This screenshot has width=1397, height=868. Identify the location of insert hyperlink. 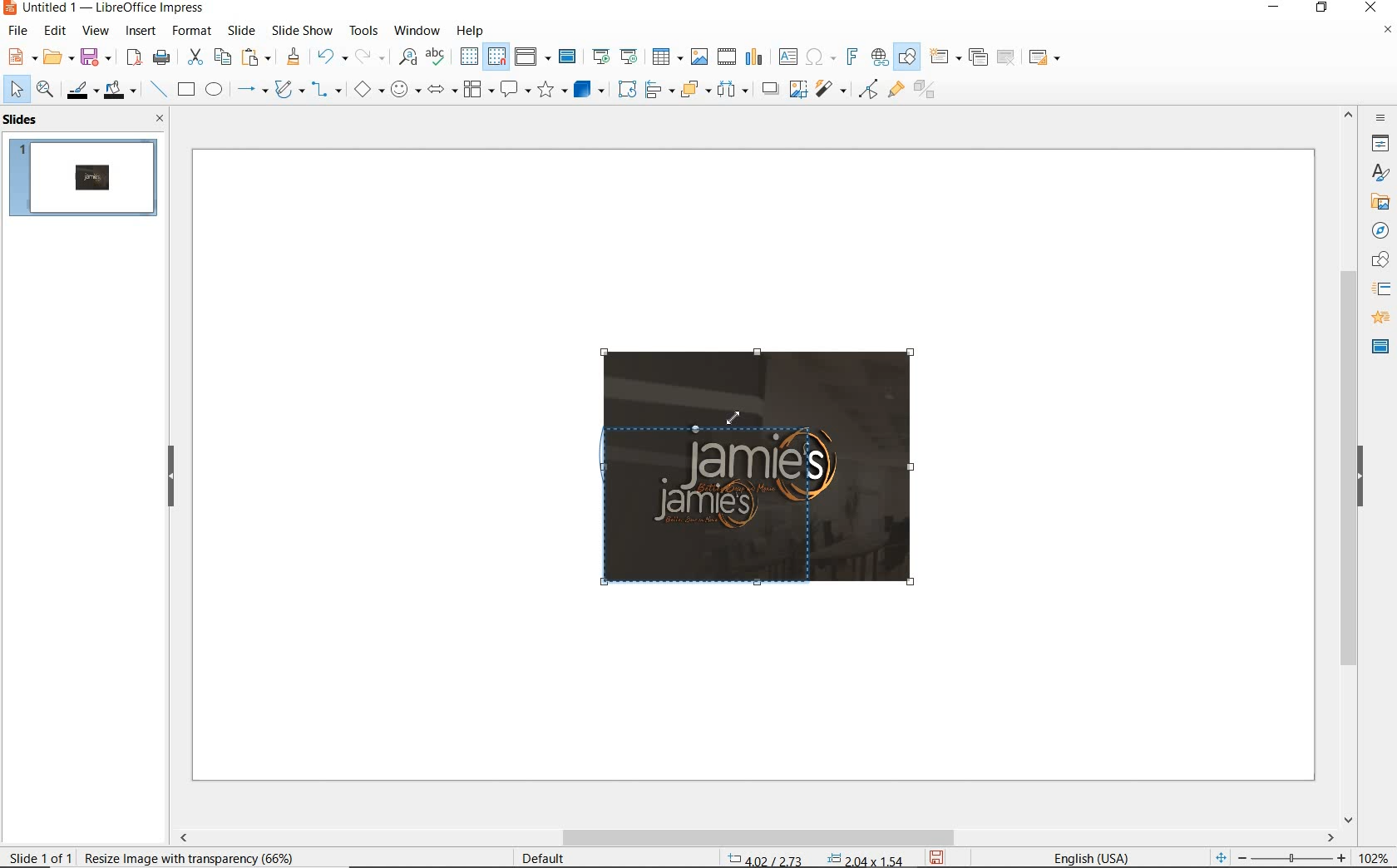
(880, 57).